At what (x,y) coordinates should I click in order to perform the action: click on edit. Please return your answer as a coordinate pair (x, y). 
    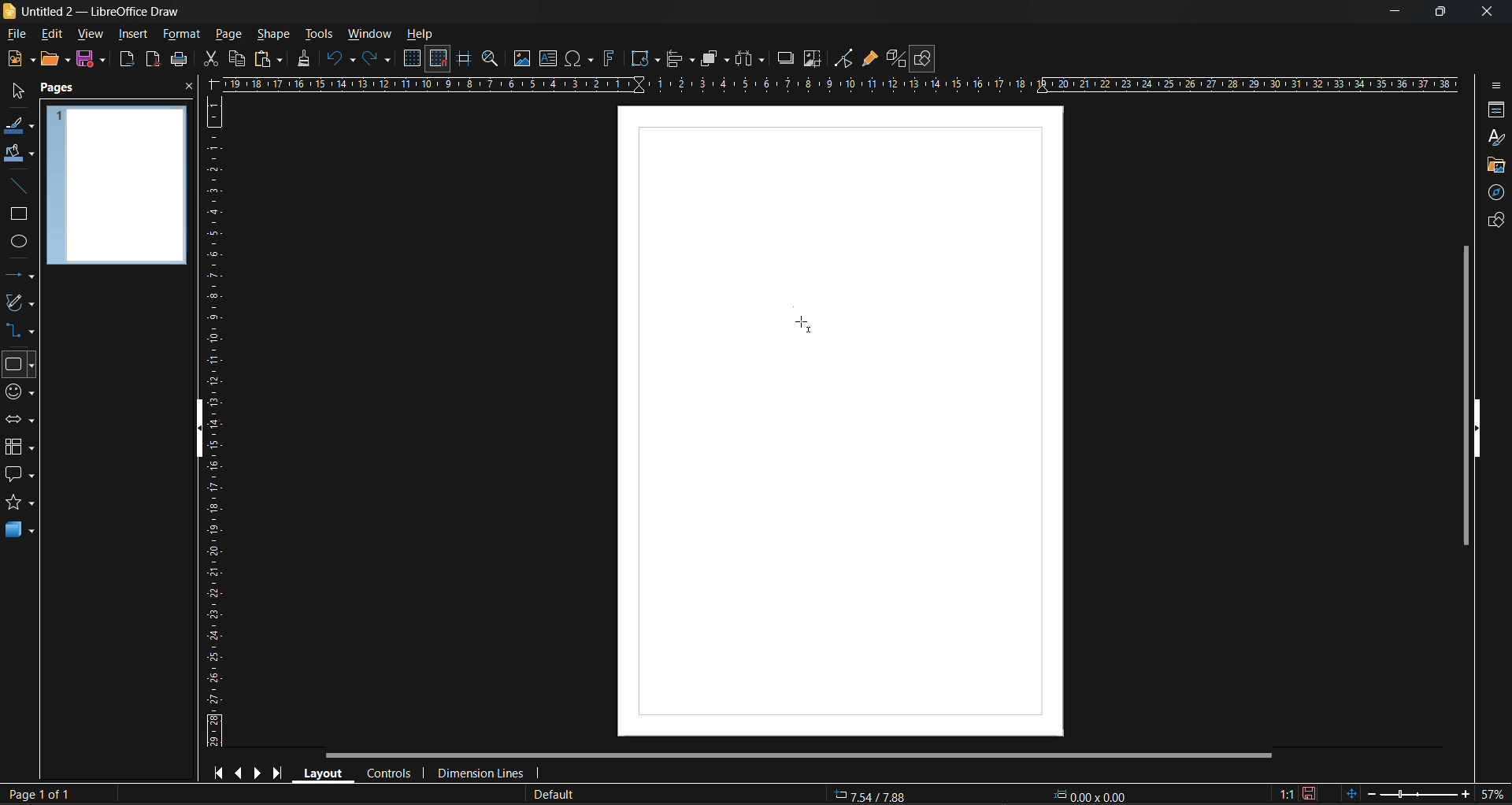
    Looking at the image, I should click on (55, 35).